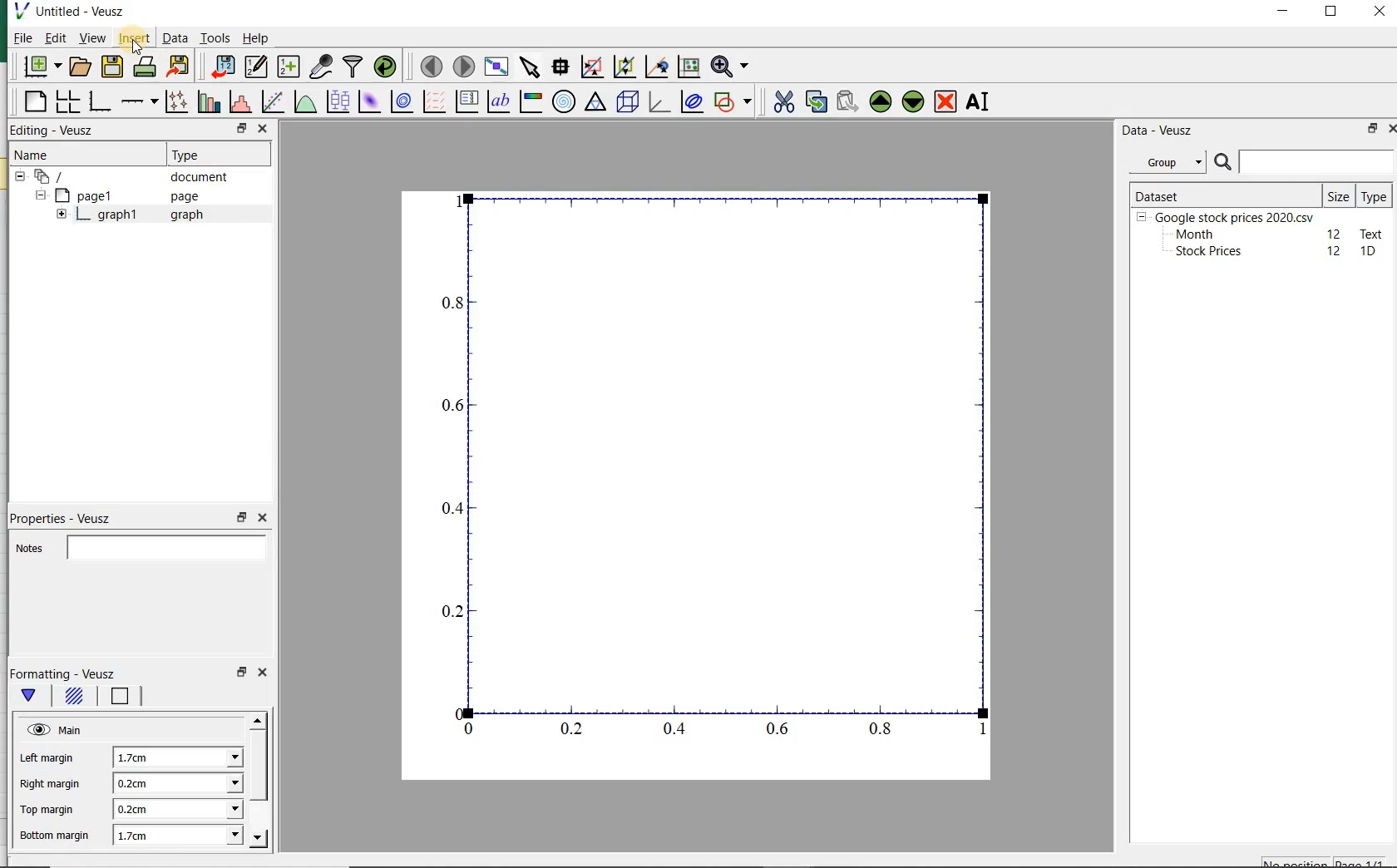 The height and width of the screenshot is (868, 1397). I want to click on Type, so click(1374, 195).